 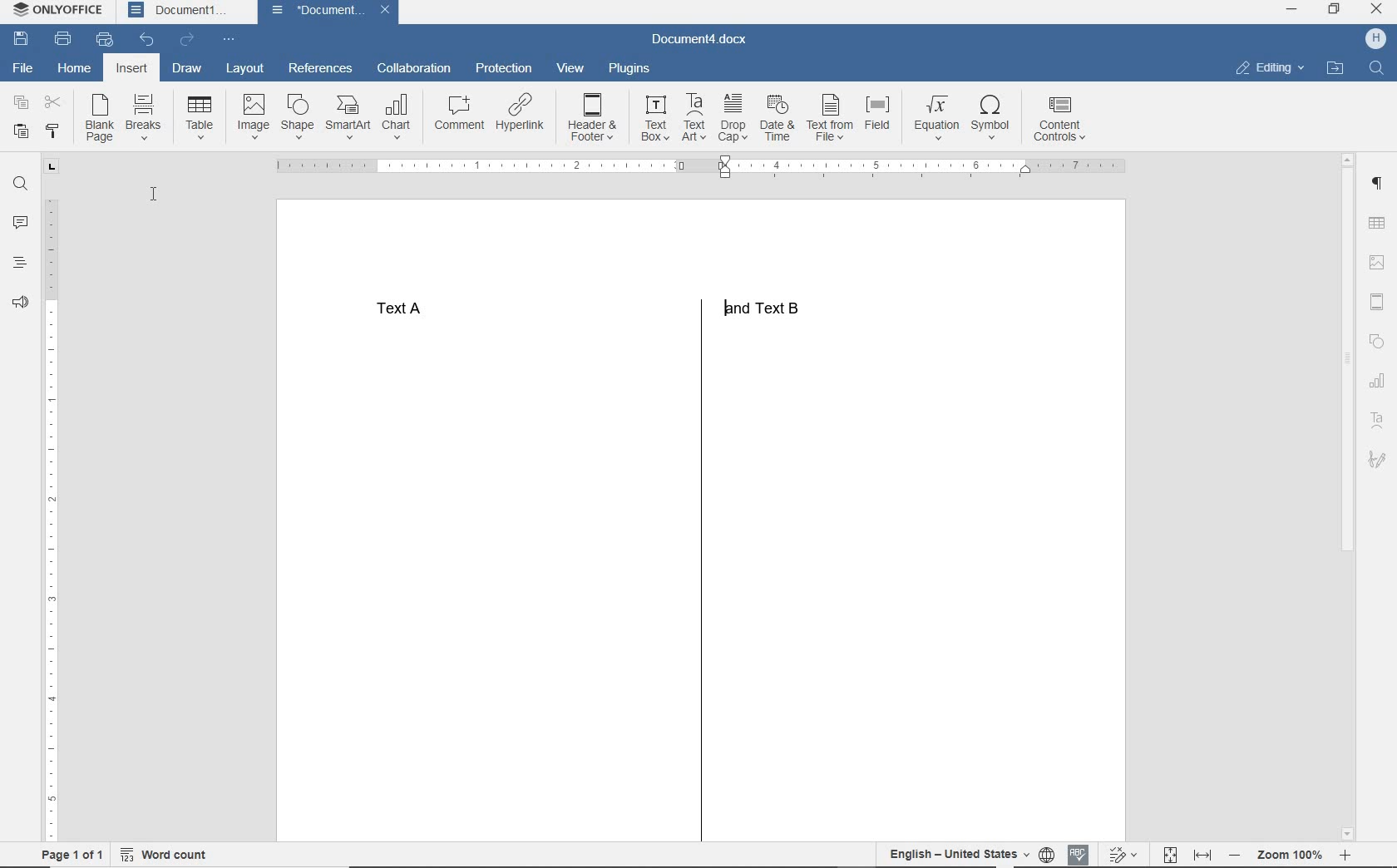 What do you see at coordinates (695, 585) in the screenshot?
I see `COLUMN ADDED BETWEEN TEXT` at bounding box center [695, 585].